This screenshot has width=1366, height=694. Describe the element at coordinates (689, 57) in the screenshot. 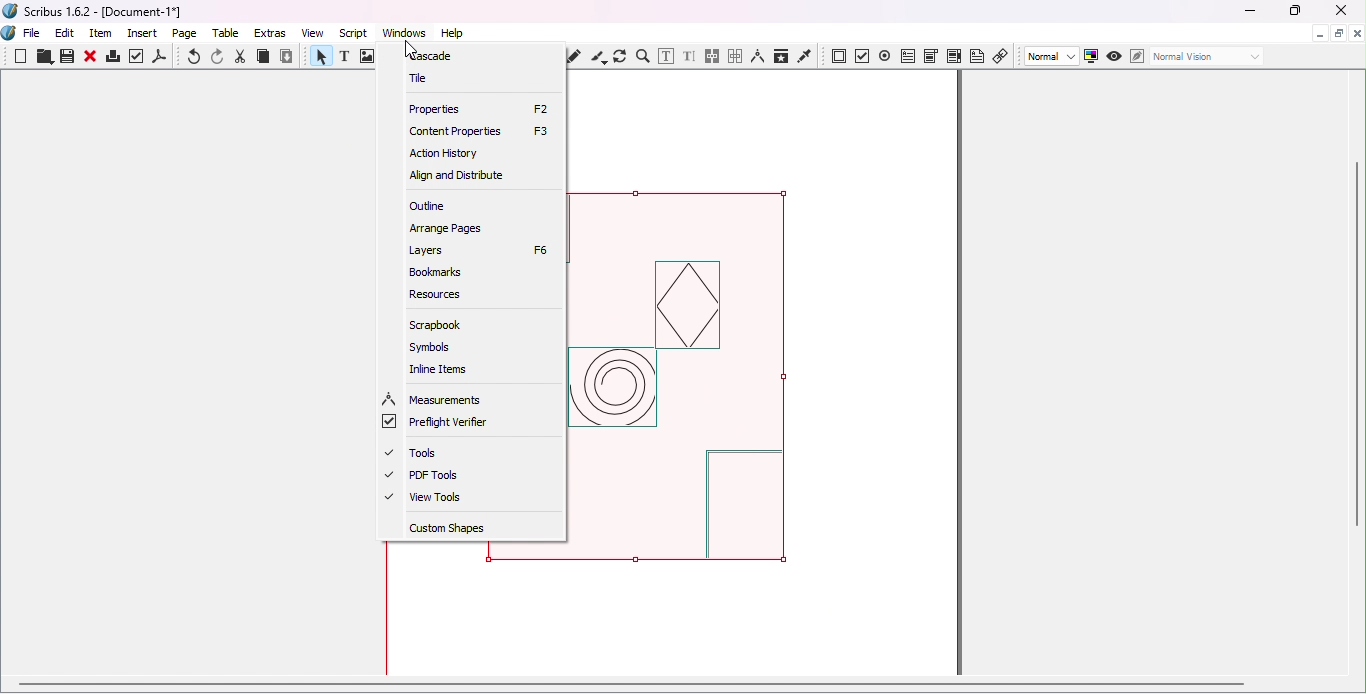

I see `Edit text with story editor` at that location.